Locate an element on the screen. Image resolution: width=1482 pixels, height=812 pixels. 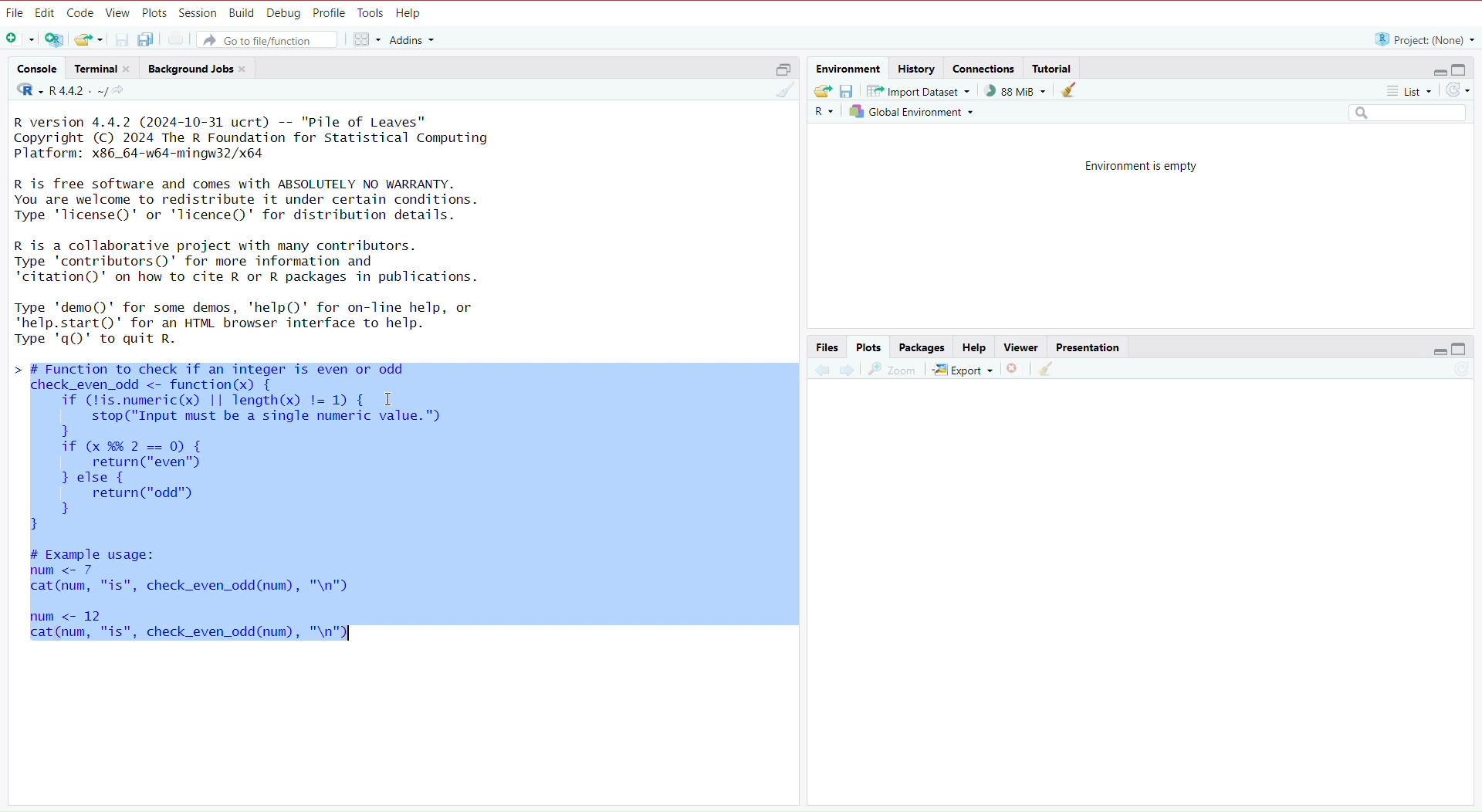
plots is located at coordinates (154, 12).